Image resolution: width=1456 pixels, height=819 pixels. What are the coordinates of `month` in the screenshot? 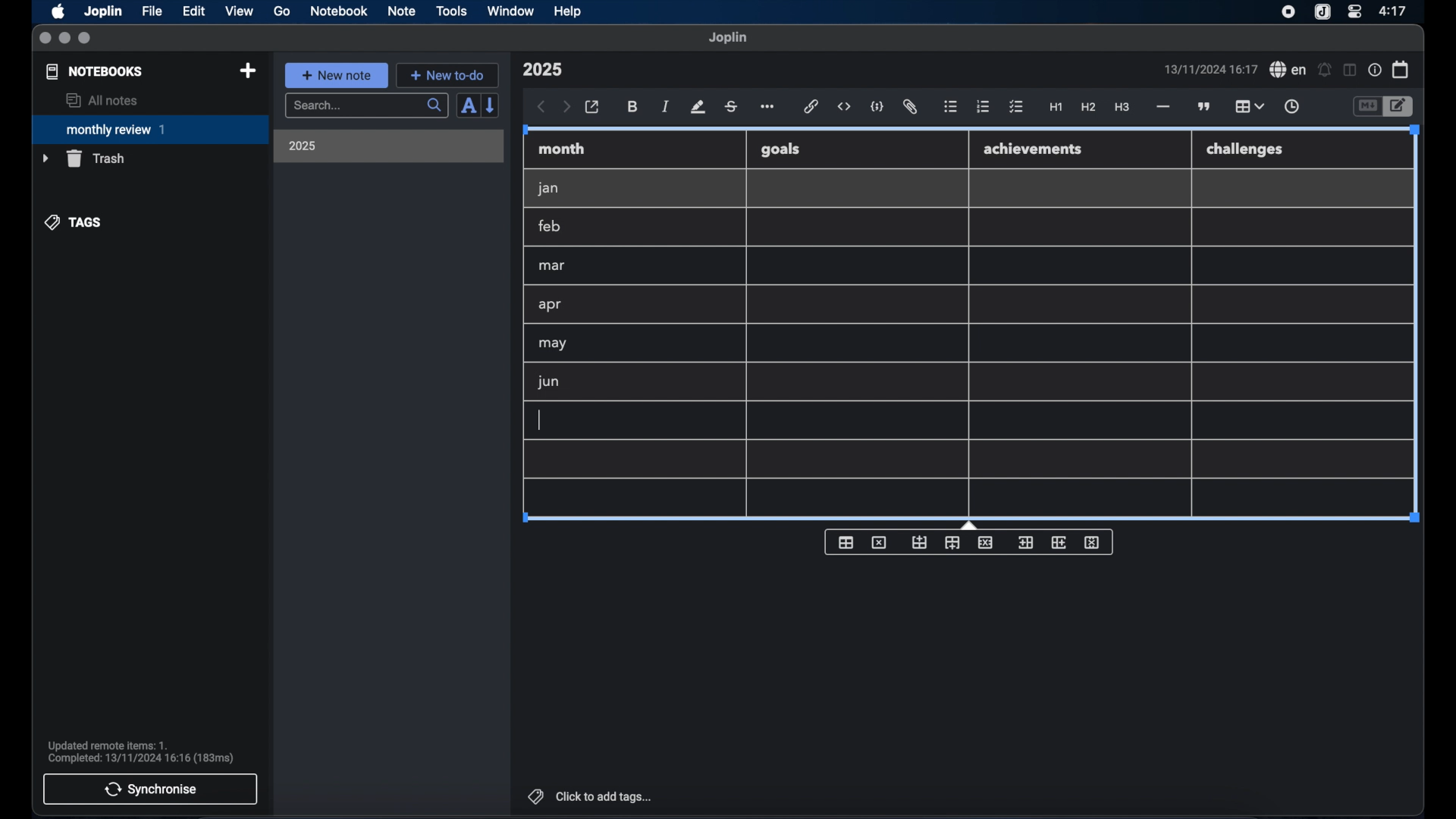 It's located at (562, 149).